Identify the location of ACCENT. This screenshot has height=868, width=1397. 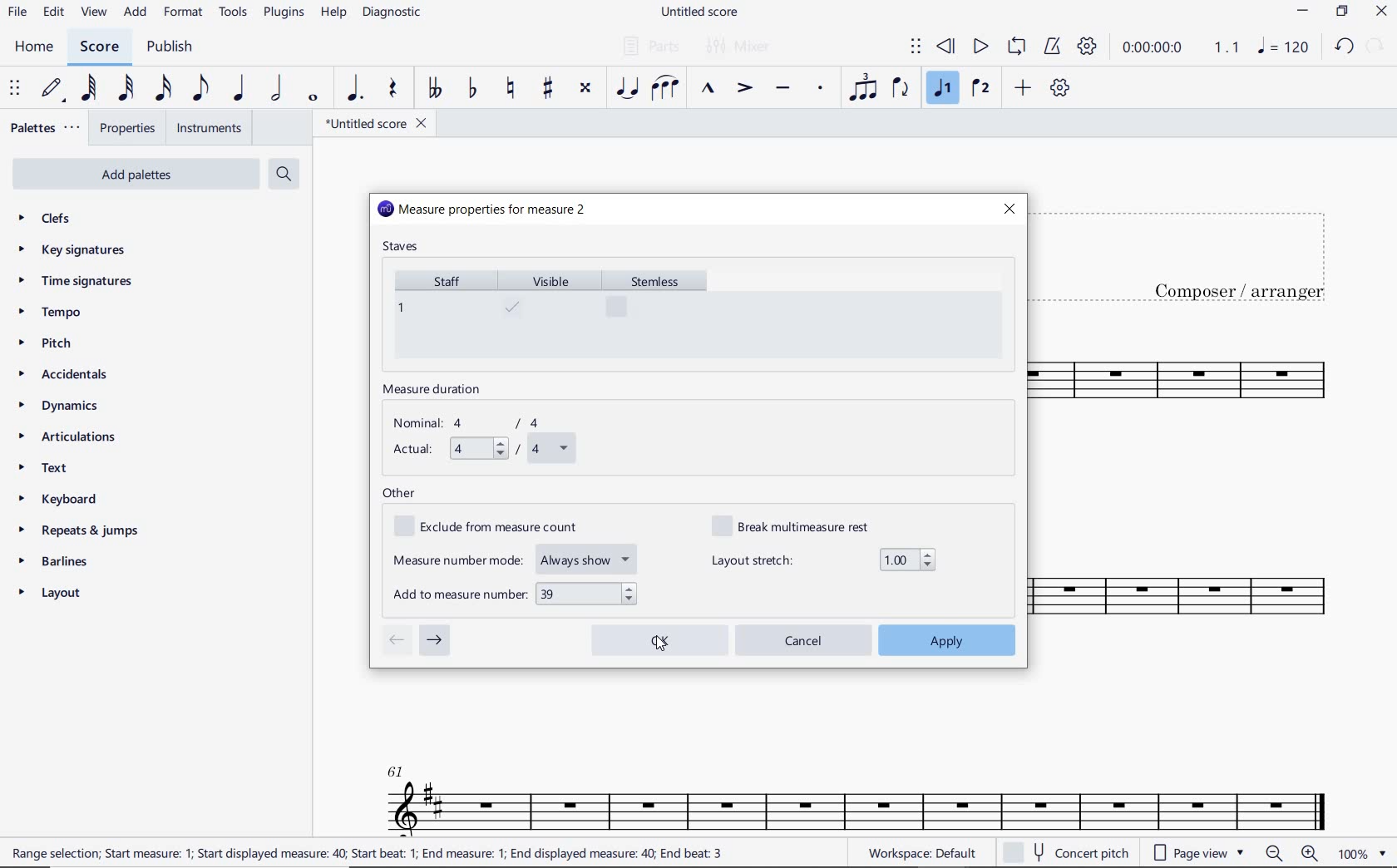
(743, 90).